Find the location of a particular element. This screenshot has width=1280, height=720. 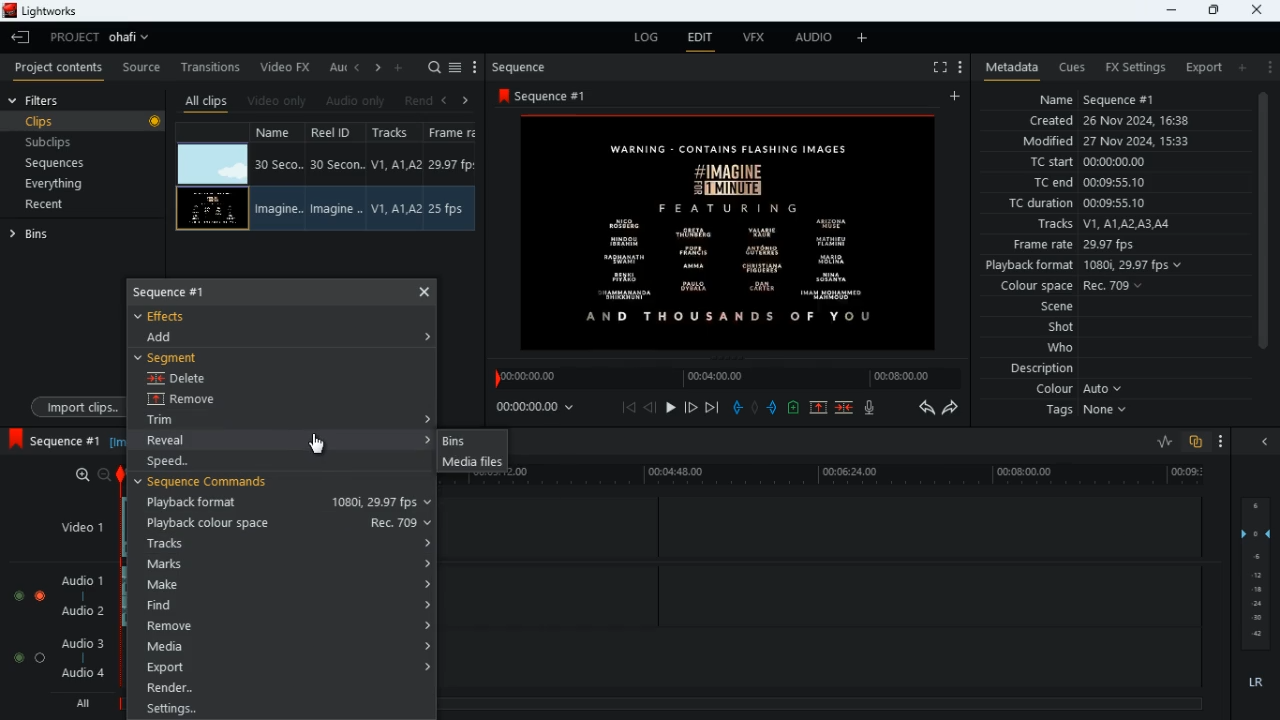

Reel ID is located at coordinates (336, 209).